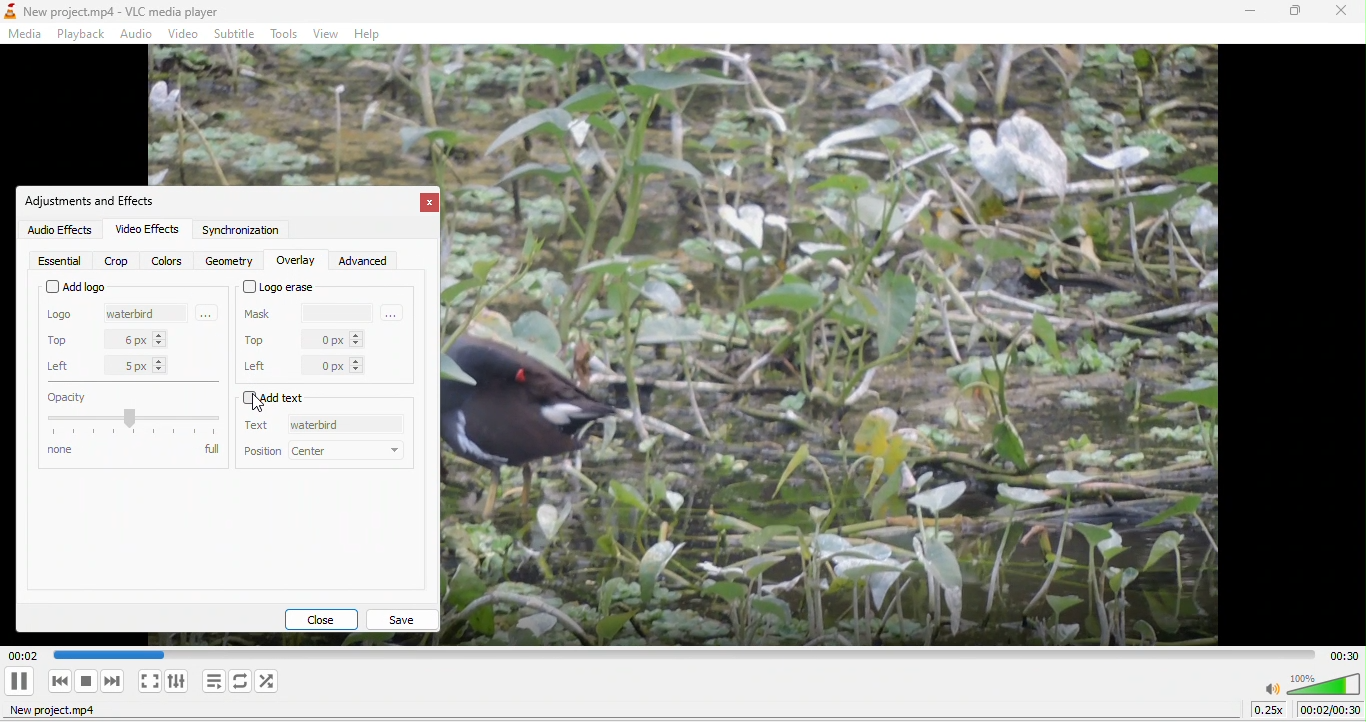  What do you see at coordinates (62, 365) in the screenshot?
I see `left` at bounding box center [62, 365].